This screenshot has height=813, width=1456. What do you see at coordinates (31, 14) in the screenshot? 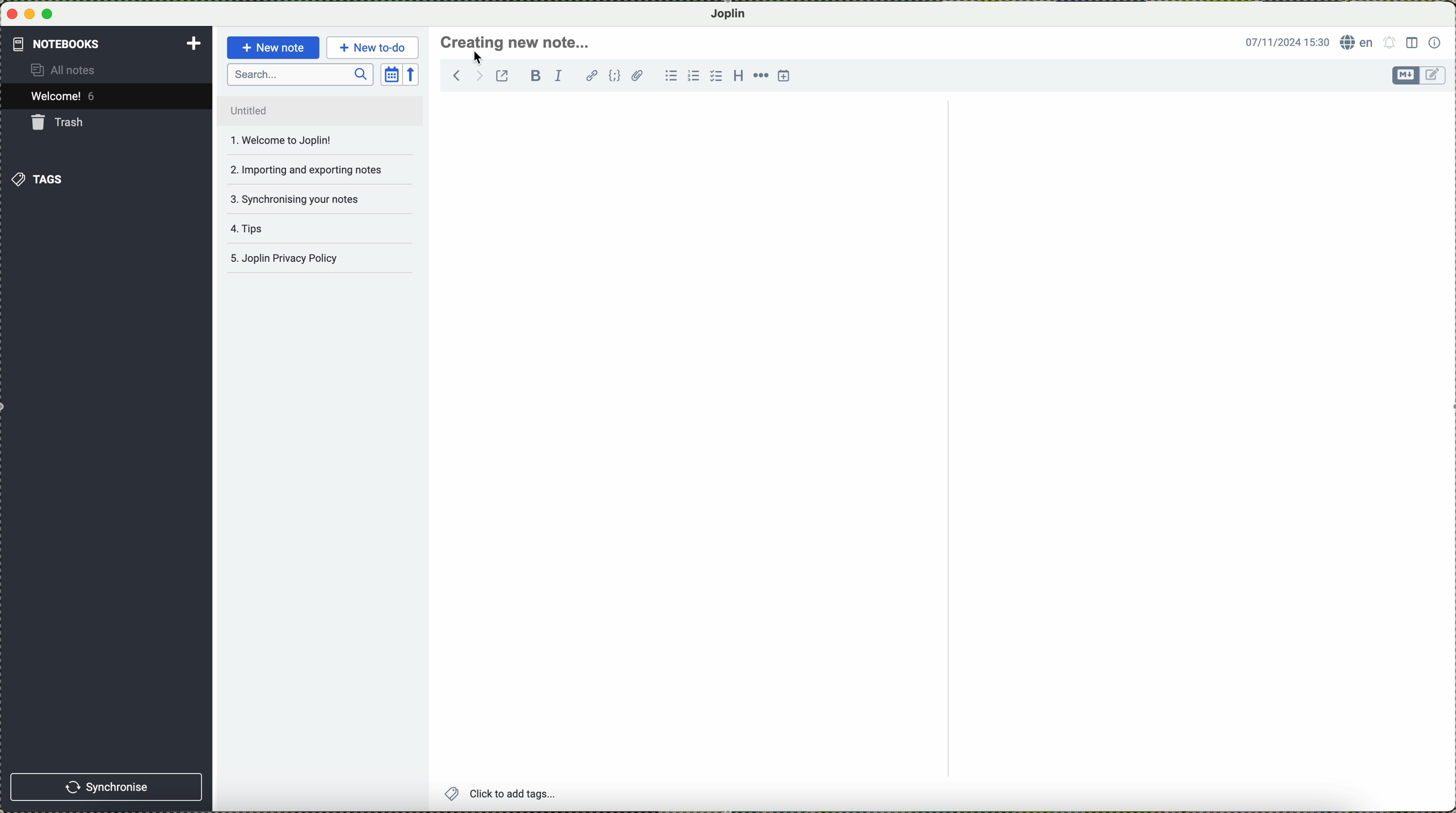
I see `minimize` at bounding box center [31, 14].